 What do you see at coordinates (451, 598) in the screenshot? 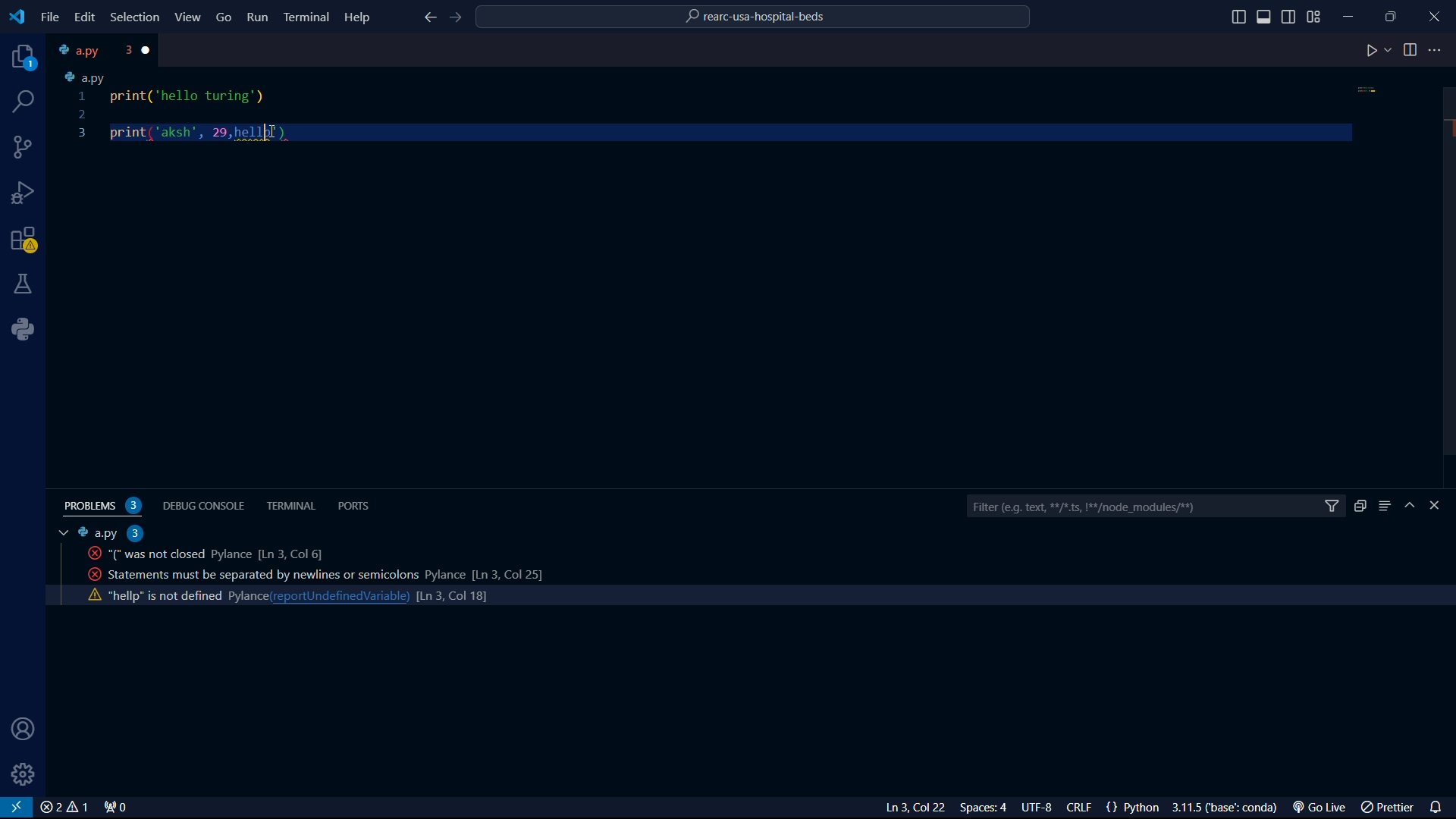
I see `line count` at bounding box center [451, 598].